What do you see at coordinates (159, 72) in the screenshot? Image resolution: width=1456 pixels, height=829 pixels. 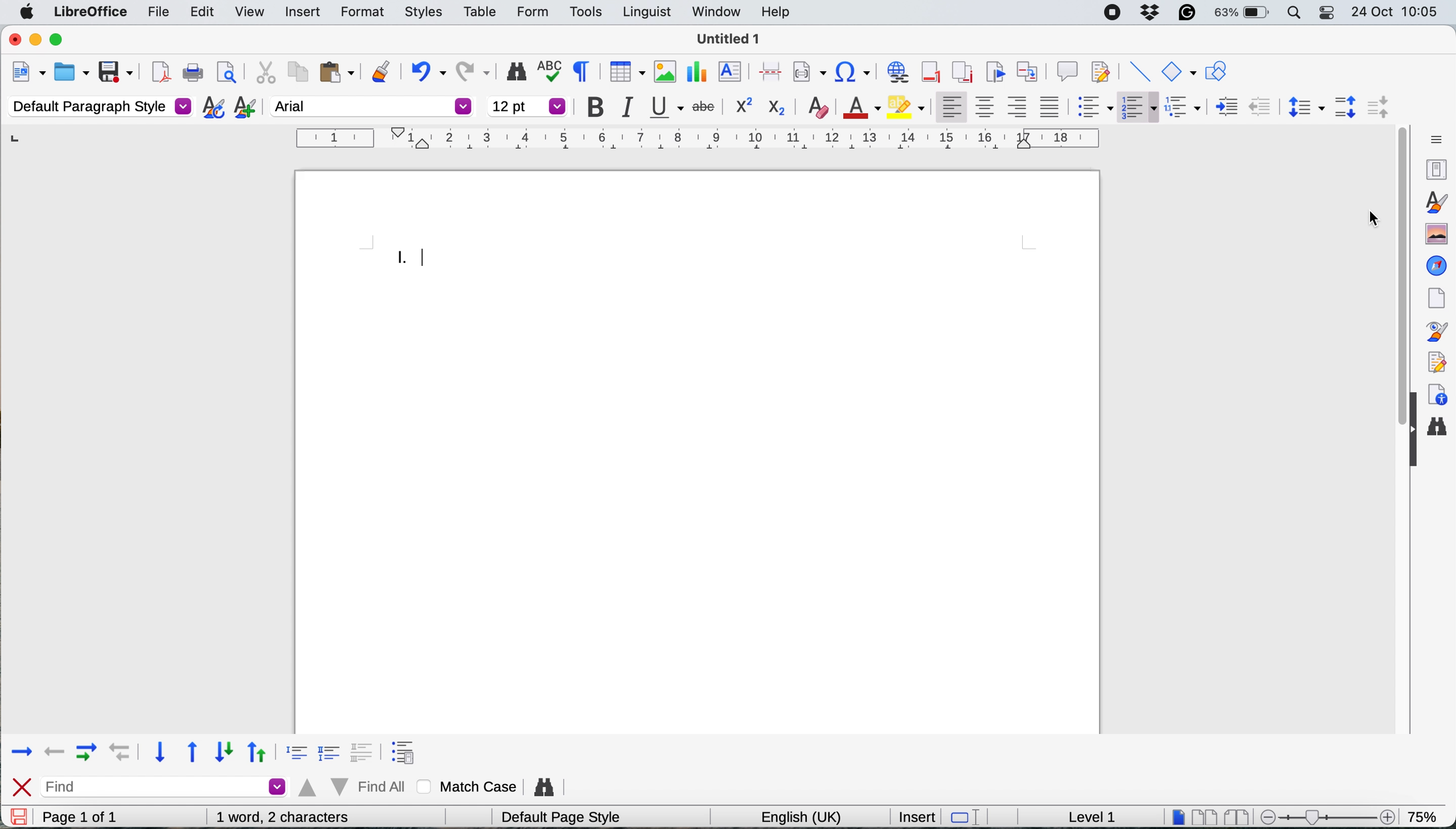 I see `export directly as pdf` at bounding box center [159, 72].